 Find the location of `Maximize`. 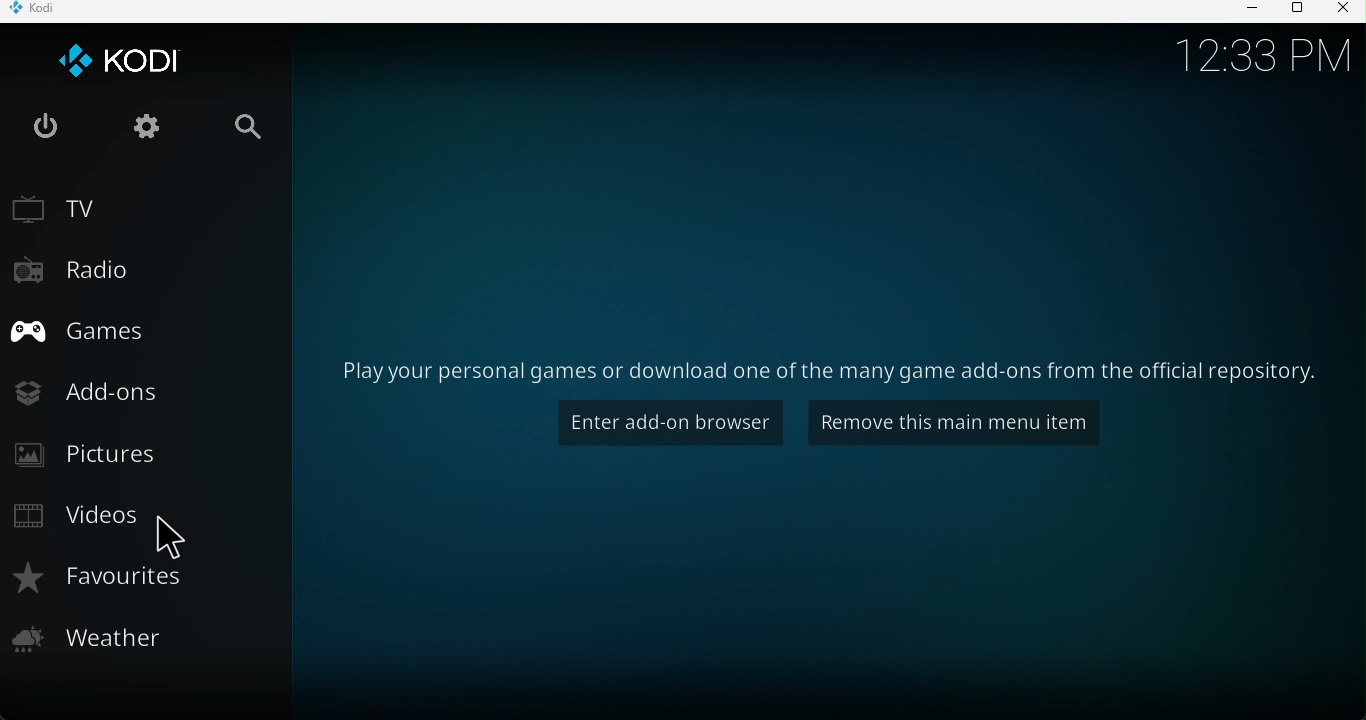

Maximize is located at coordinates (1301, 9).